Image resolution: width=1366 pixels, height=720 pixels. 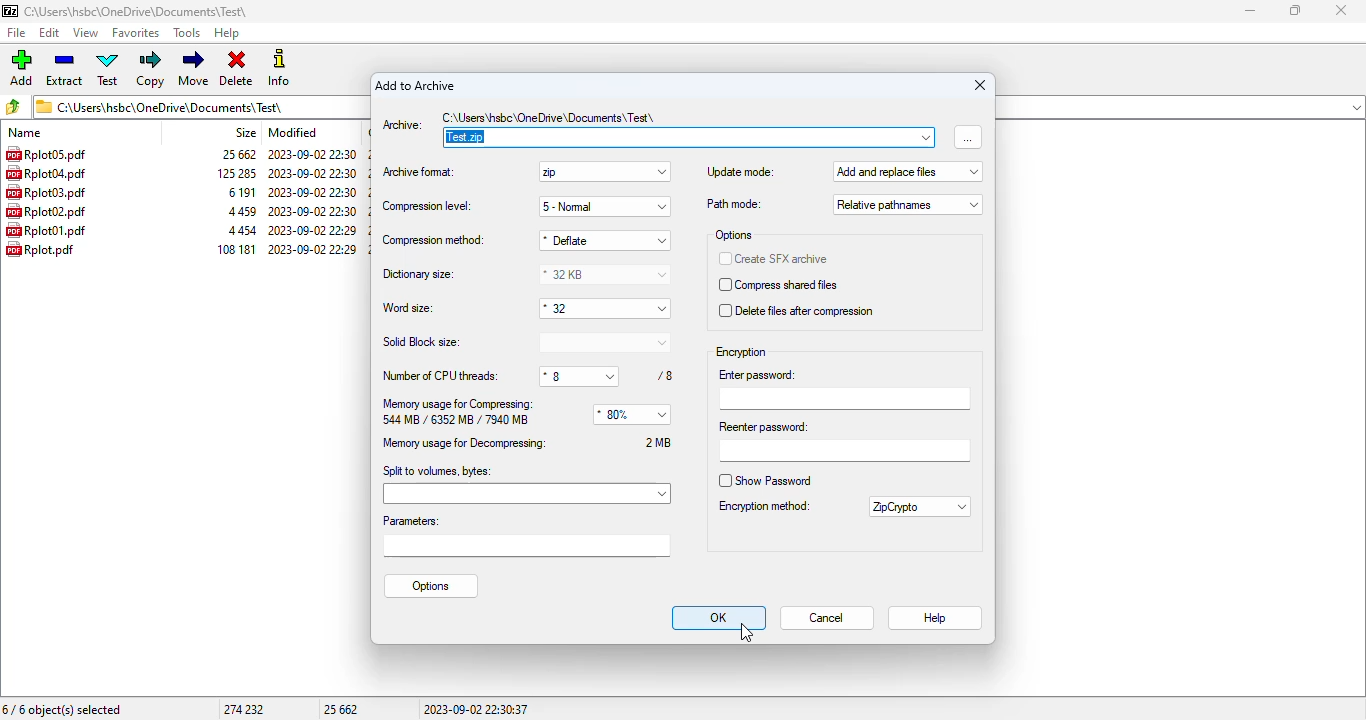 I want to click on 5 - normal, so click(x=604, y=208).